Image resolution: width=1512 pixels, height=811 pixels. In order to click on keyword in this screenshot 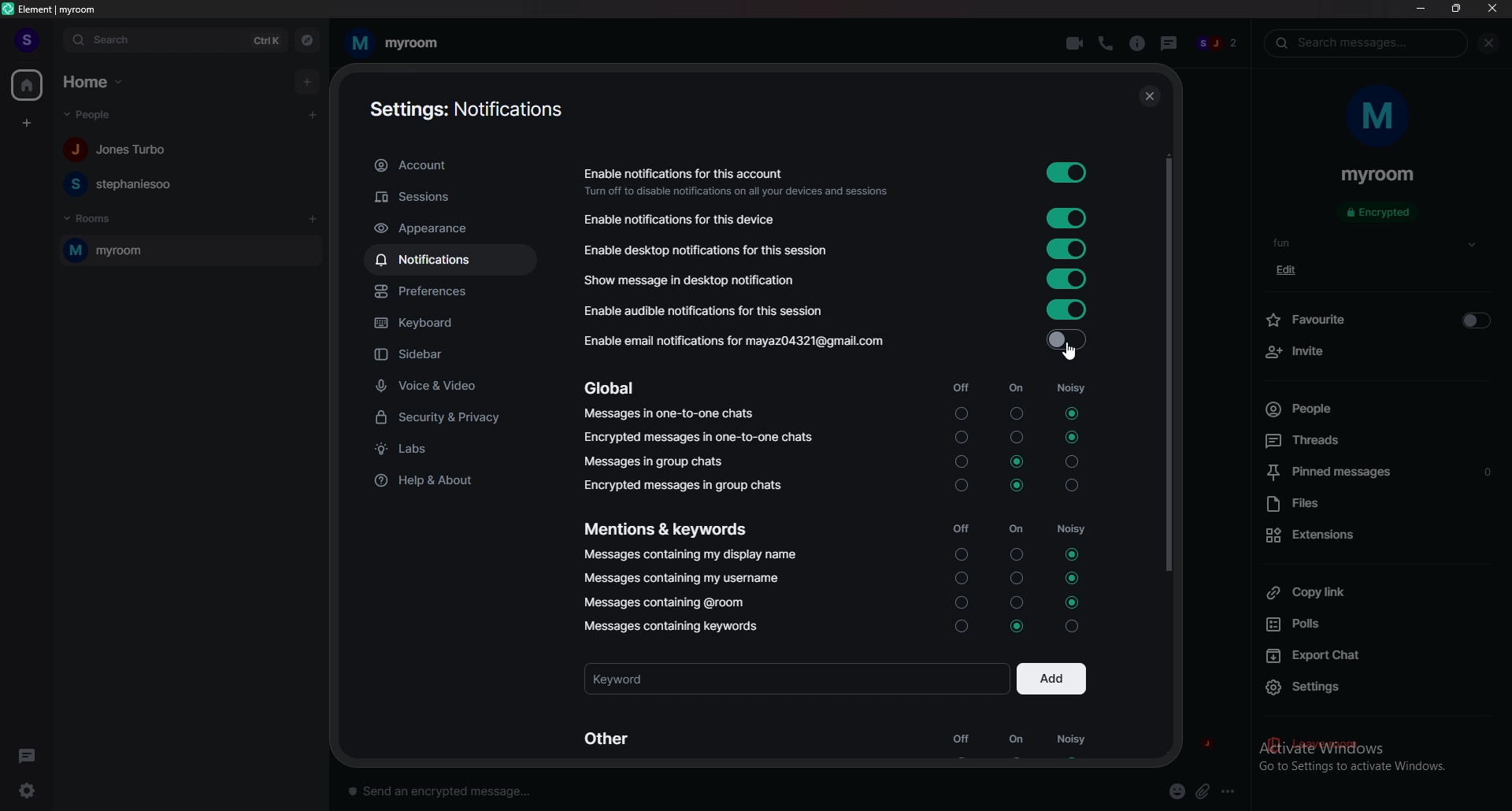, I will do `click(795, 677)`.